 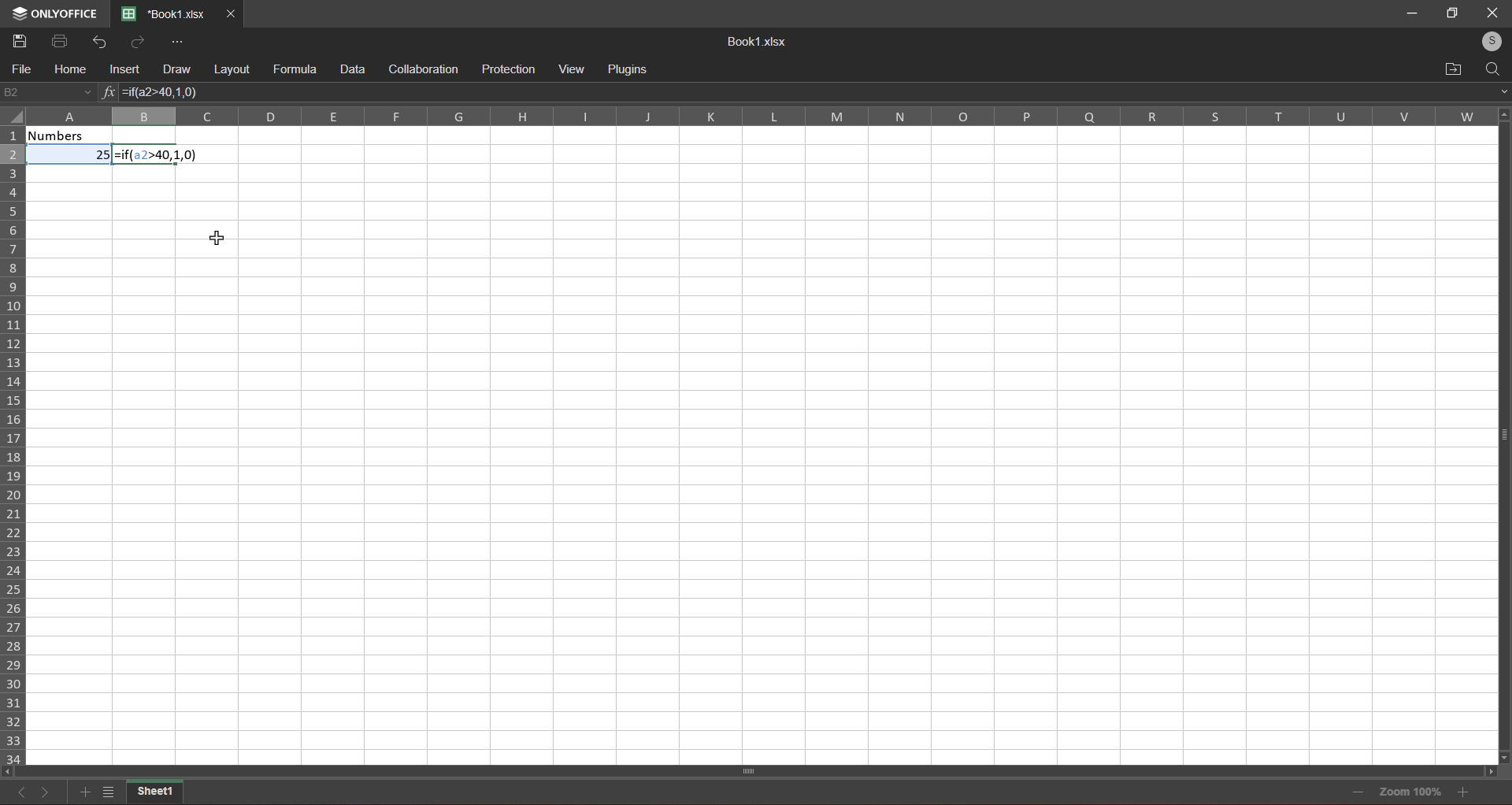 I want to click on login, so click(x=1488, y=39).